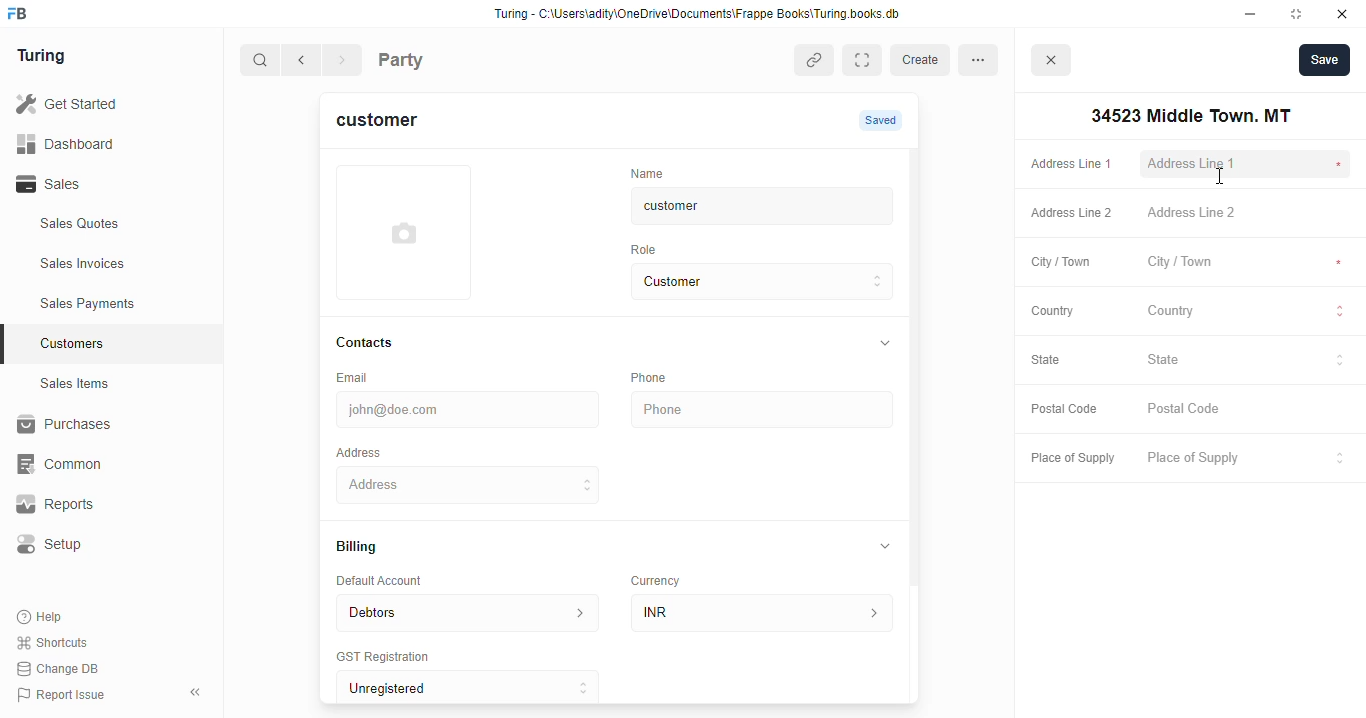 The width and height of the screenshot is (1366, 718). I want to click on Billing, so click(366, 548).